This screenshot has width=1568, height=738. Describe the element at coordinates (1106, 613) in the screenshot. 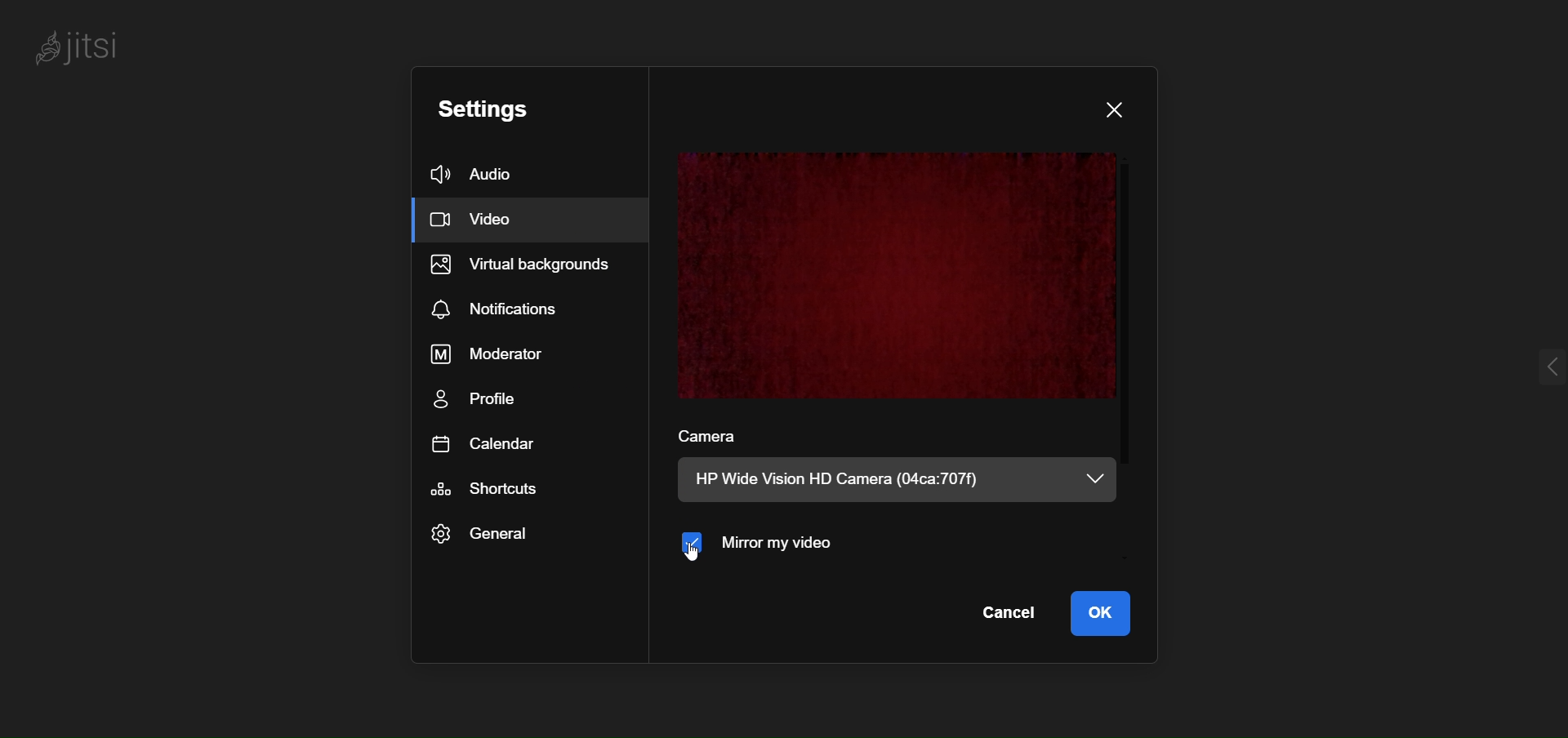

I see `ok` at that location.